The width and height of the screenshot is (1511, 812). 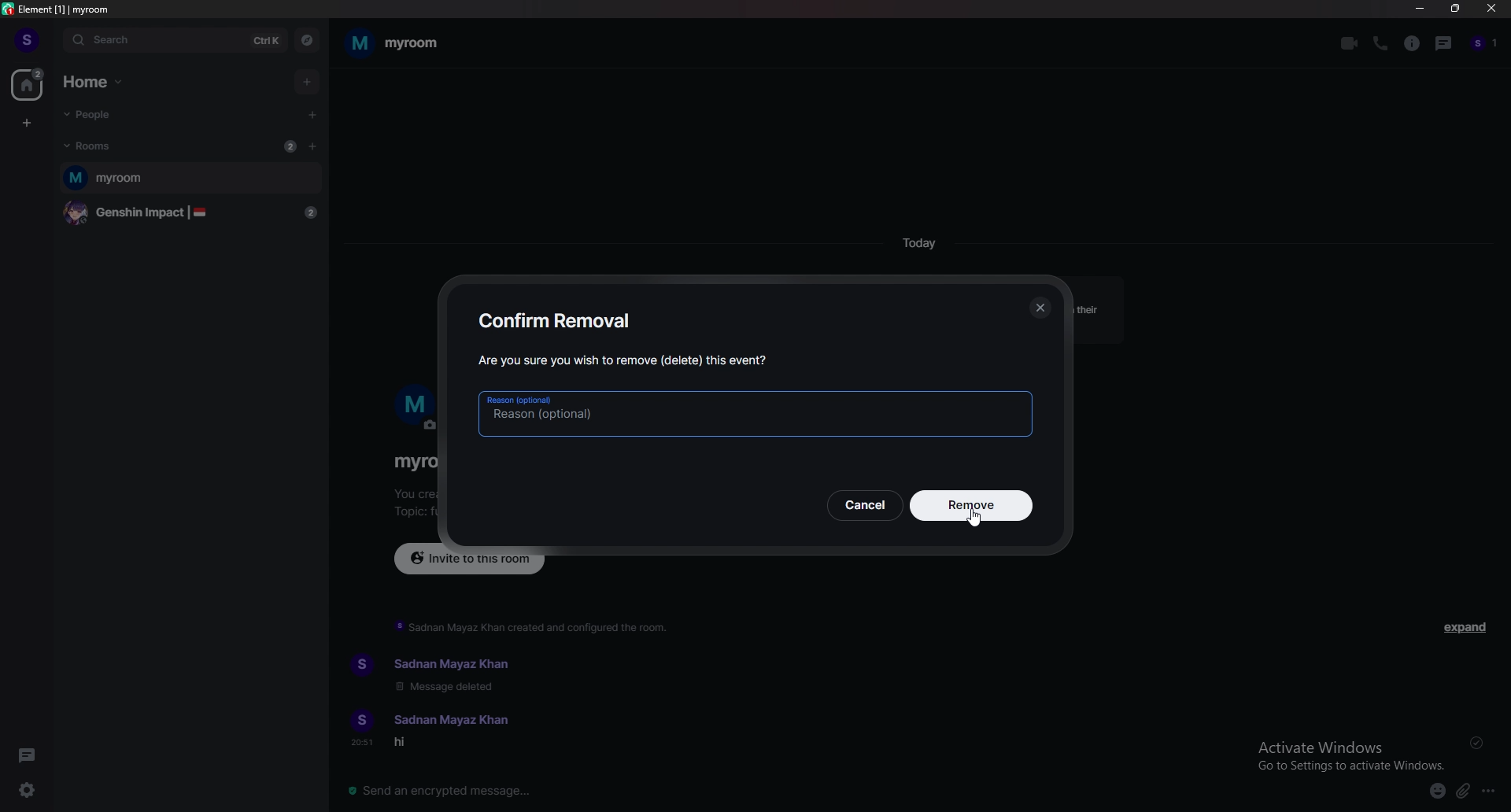 What do you see at coordinates (624, 360) in the screenshot?
I see `are you sure you wish to remove (delete) this event?` at bounding box center [624, 360].